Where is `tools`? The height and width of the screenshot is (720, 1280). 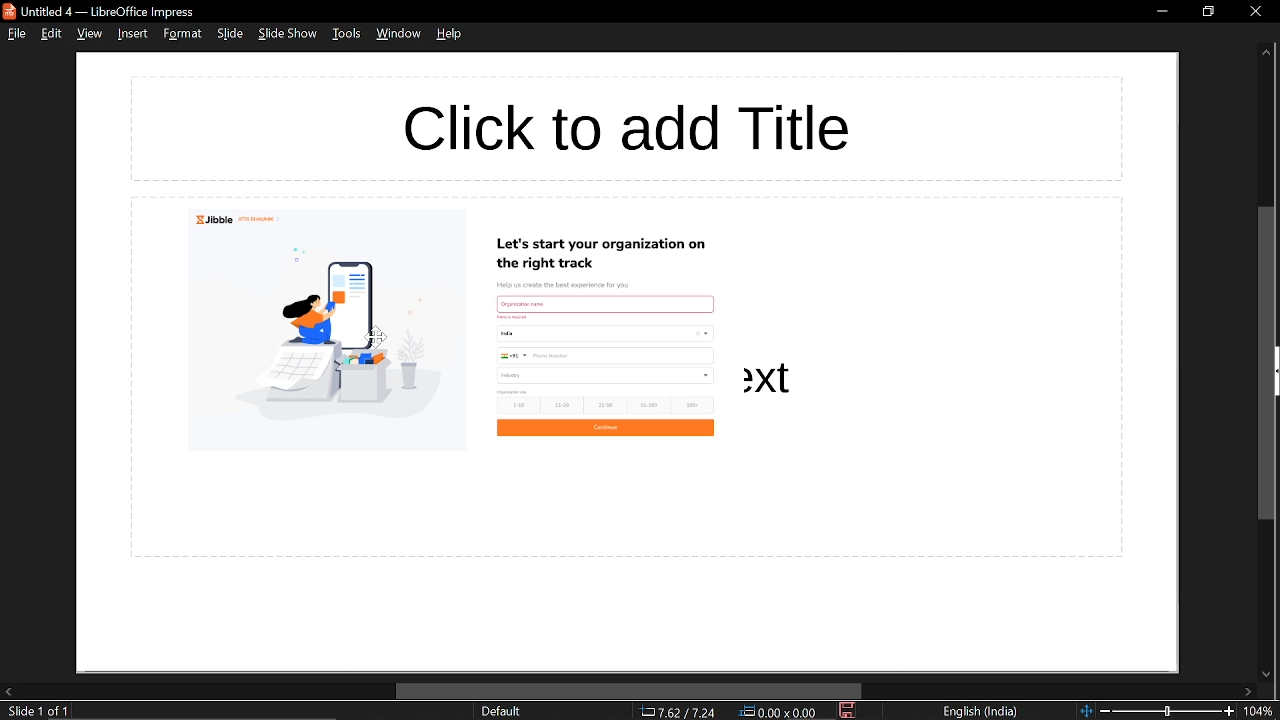
tools is located at coordinates (346, 33).